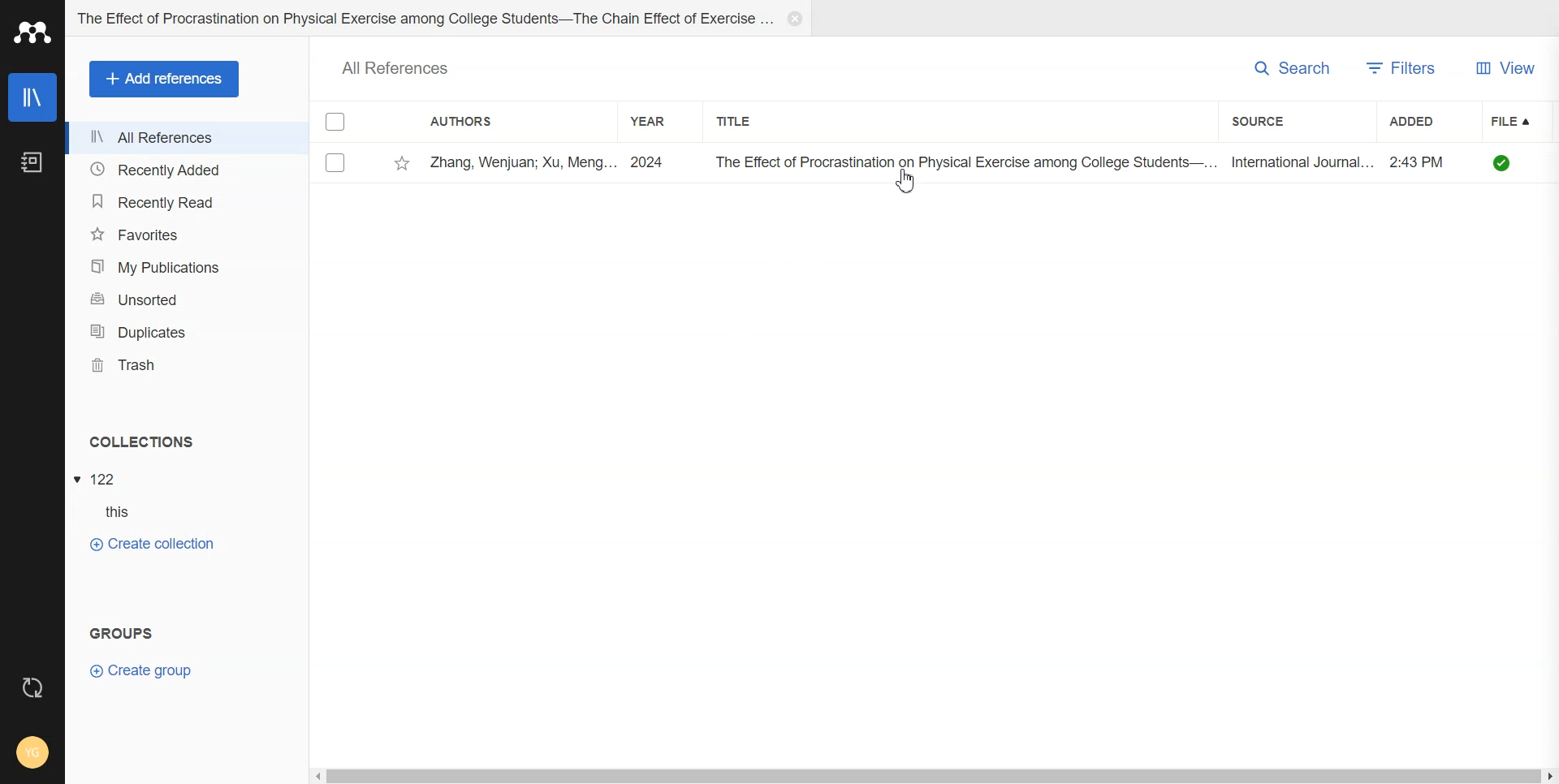  Describe the element at coordinates (796, 19) in the screenshot. I see `Close` at that location.